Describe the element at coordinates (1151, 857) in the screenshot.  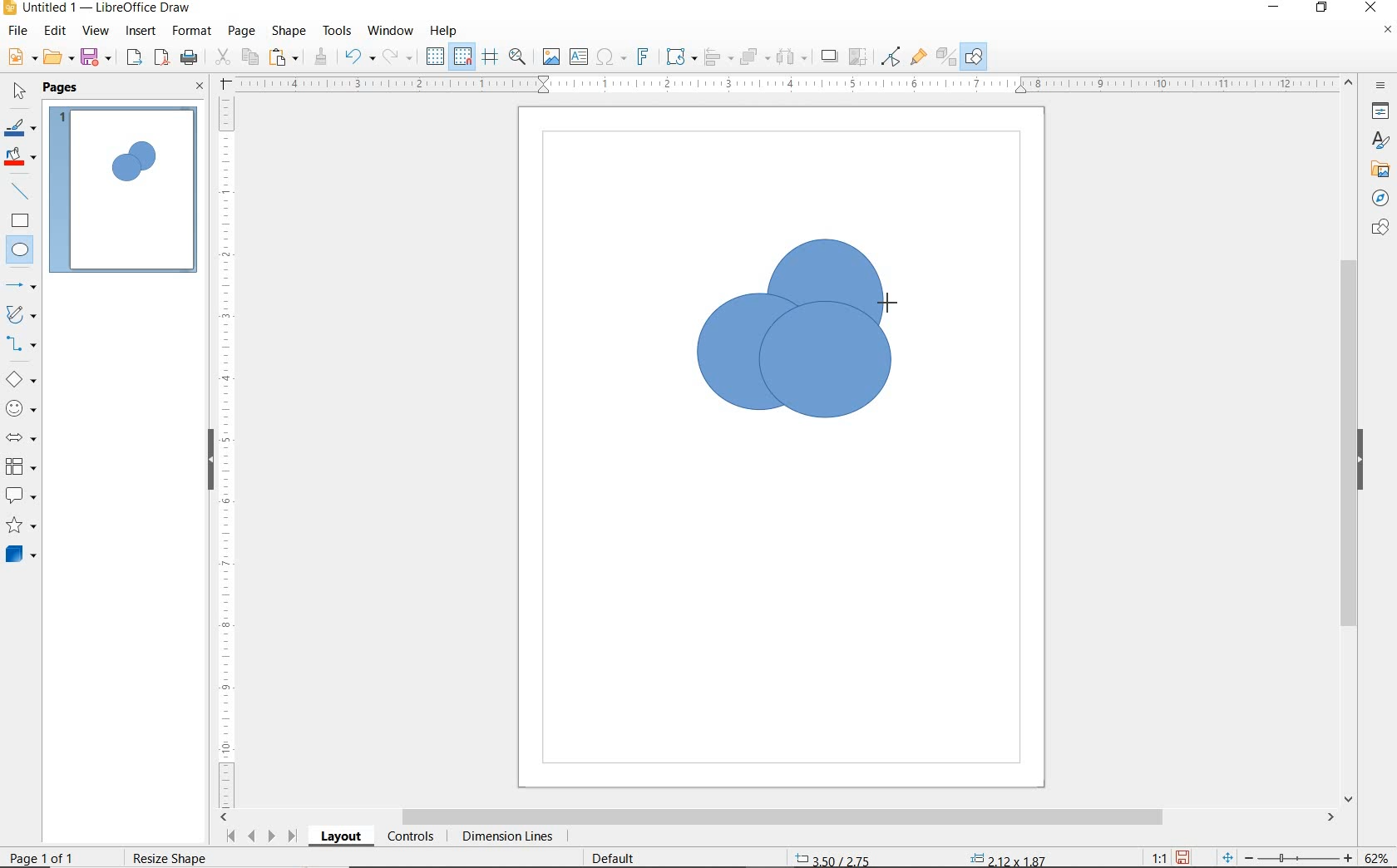
I see `SCALE FACTOR` at that location.